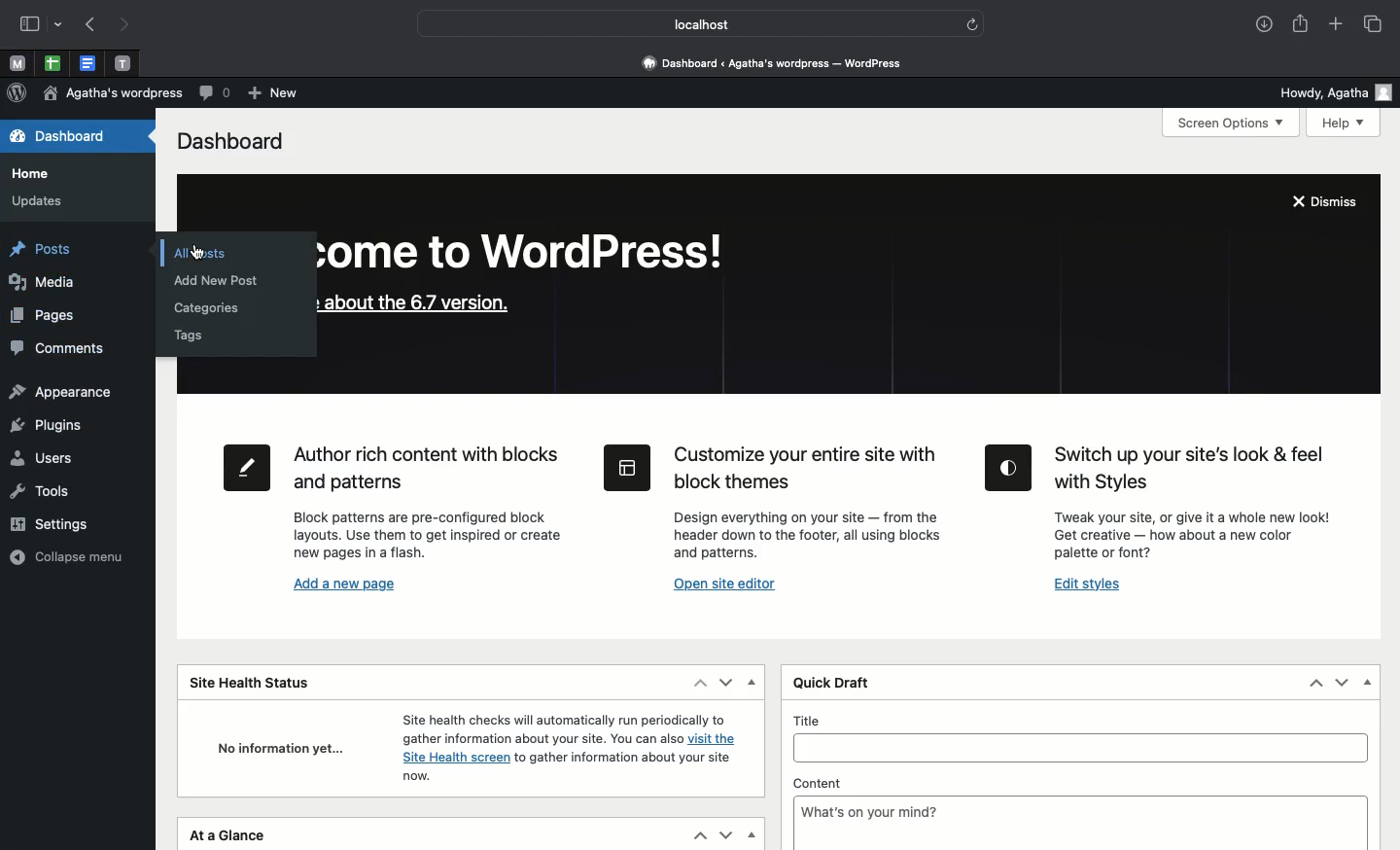  I want to click on Categories, so click(208, 308).